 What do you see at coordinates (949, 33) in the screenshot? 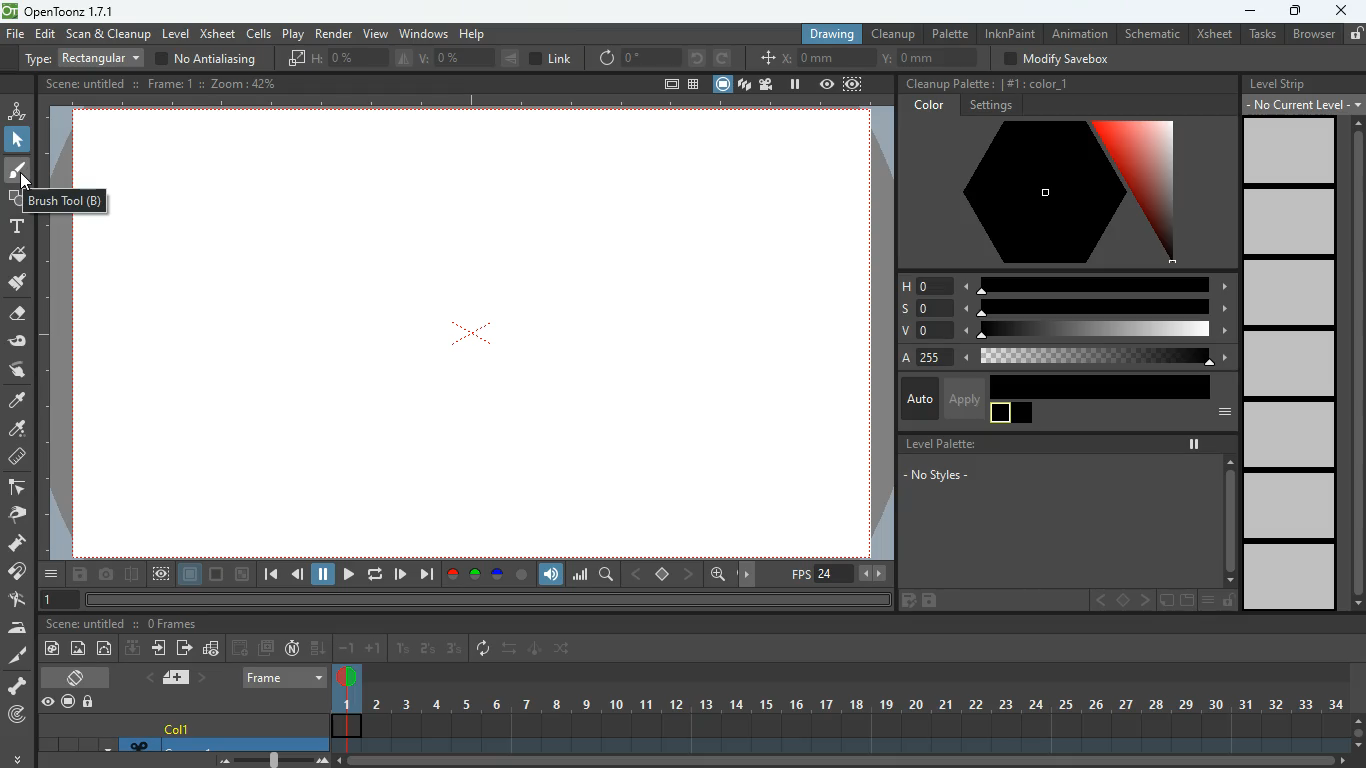
I see `palette` at bounding box center [949, 33].